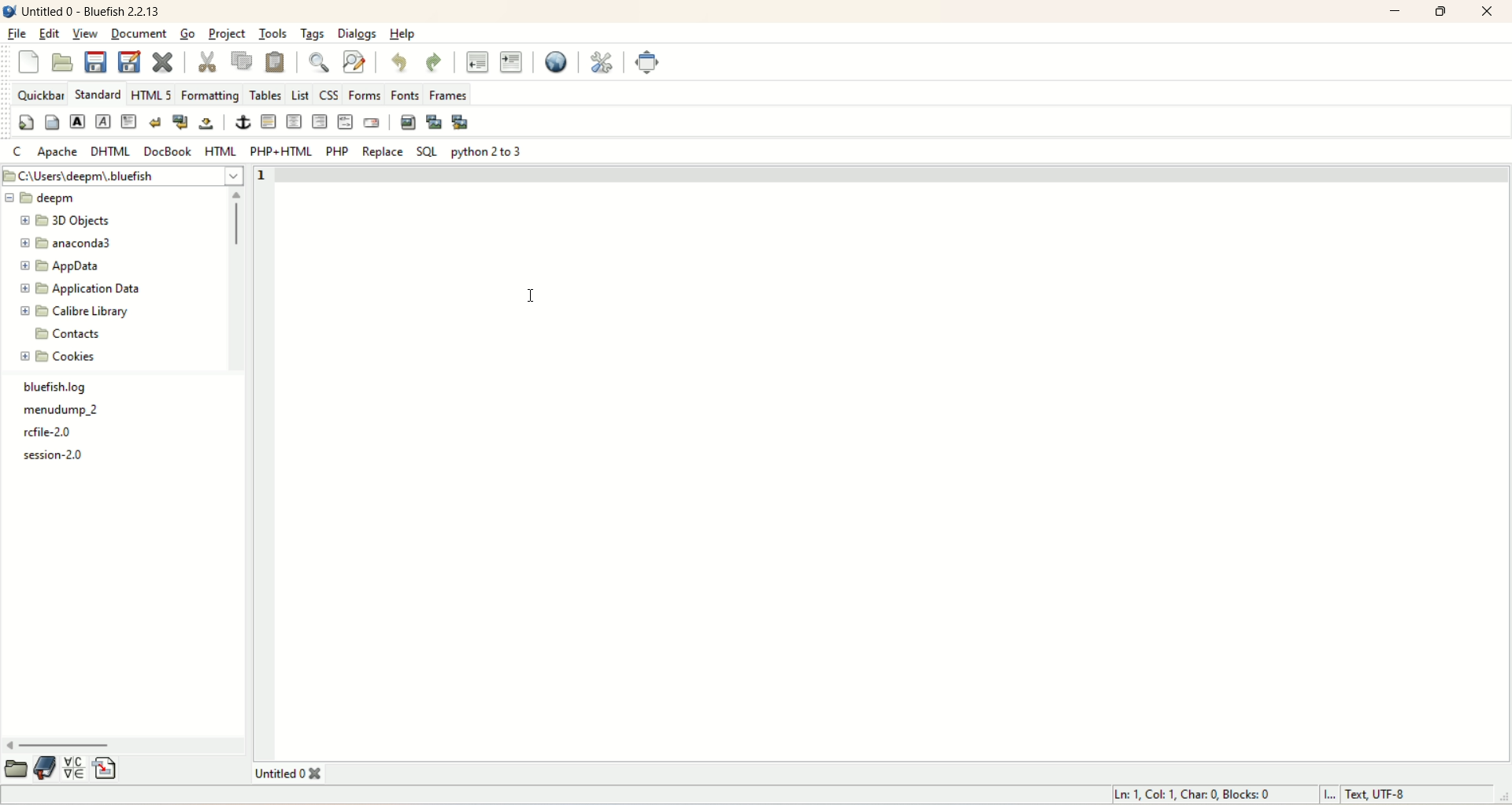 This screenshot has width=1512, height=805. I want to click on save current file, so click(95, 62).